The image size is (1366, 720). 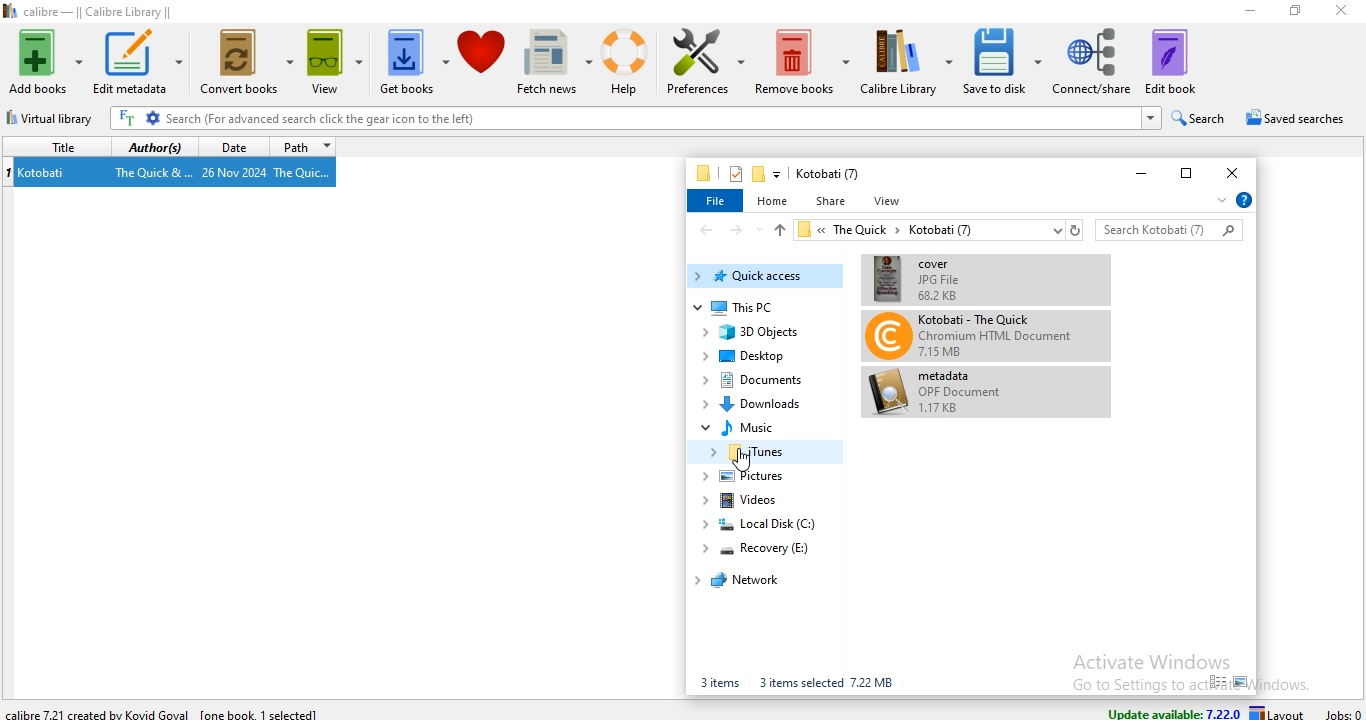 What do you see at coordinates (802, 60) in the screenshot?
I see `remove books` at bounding box center [802, 60].